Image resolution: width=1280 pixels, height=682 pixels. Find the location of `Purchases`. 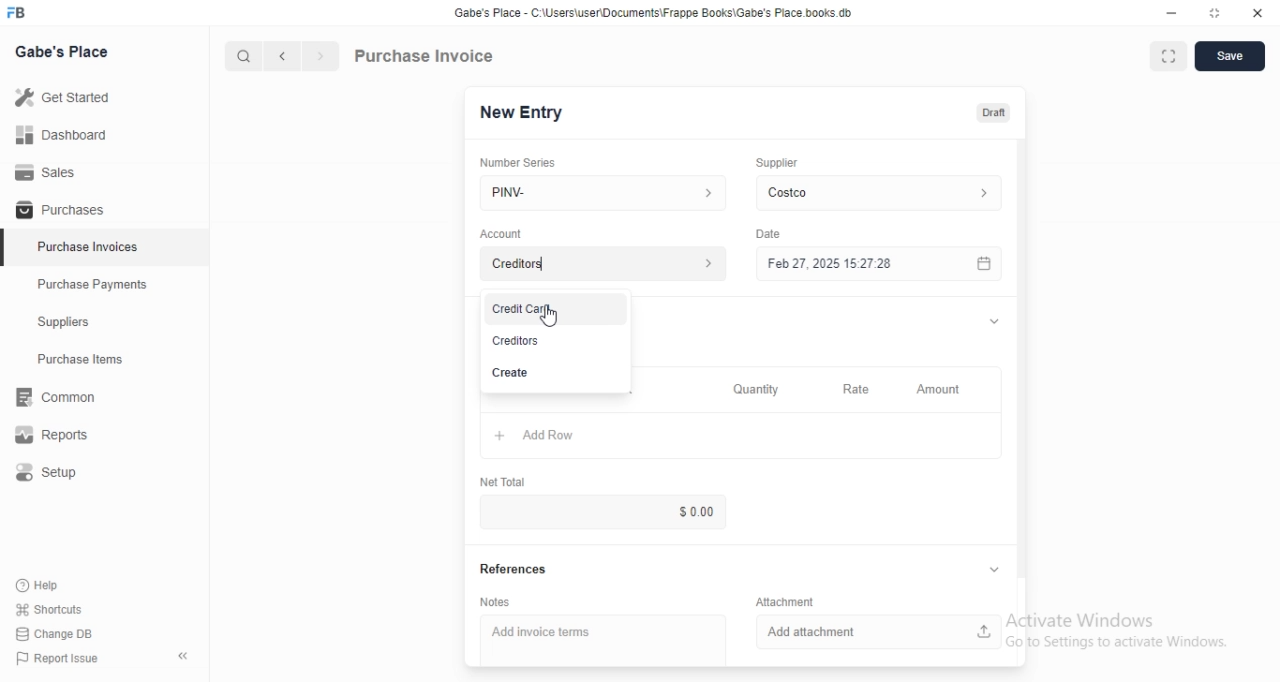

Purchases is located at coordinates (104, 208).